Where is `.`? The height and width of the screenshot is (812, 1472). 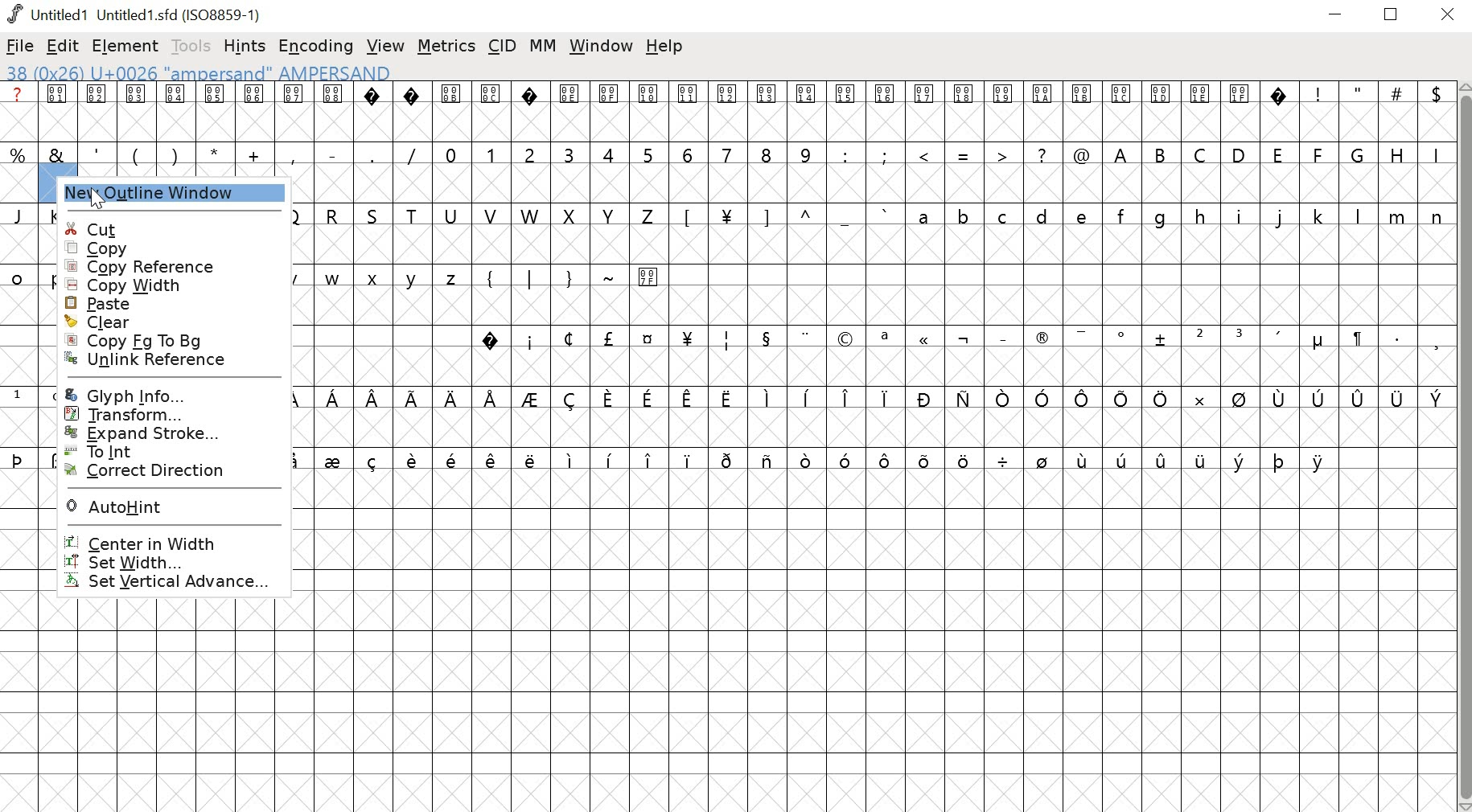
. is located at coordinates (371, 154).